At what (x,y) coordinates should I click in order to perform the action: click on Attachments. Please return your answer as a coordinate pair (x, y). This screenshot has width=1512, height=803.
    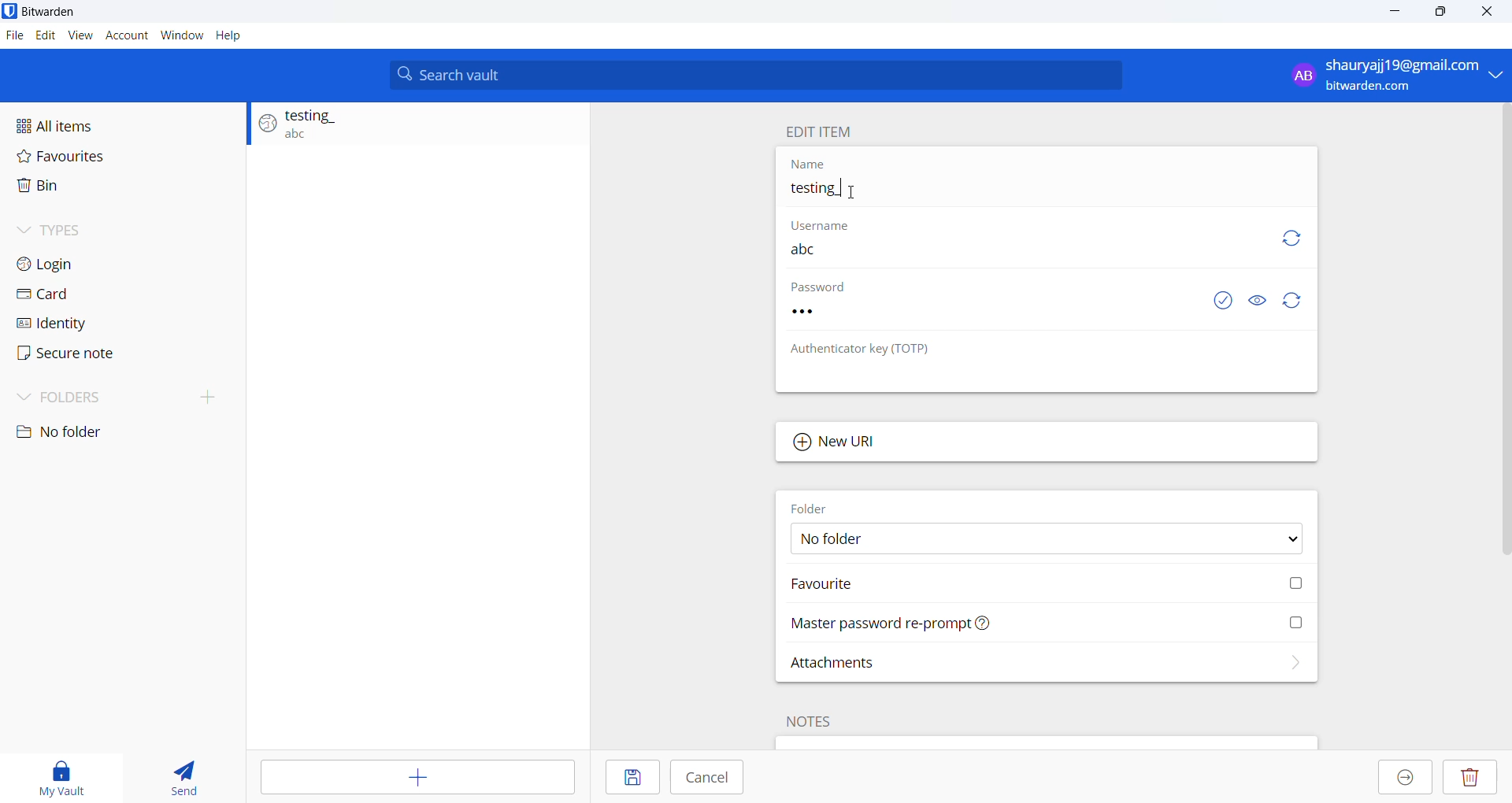
    Looking at the image, I should click on (1042, 661).